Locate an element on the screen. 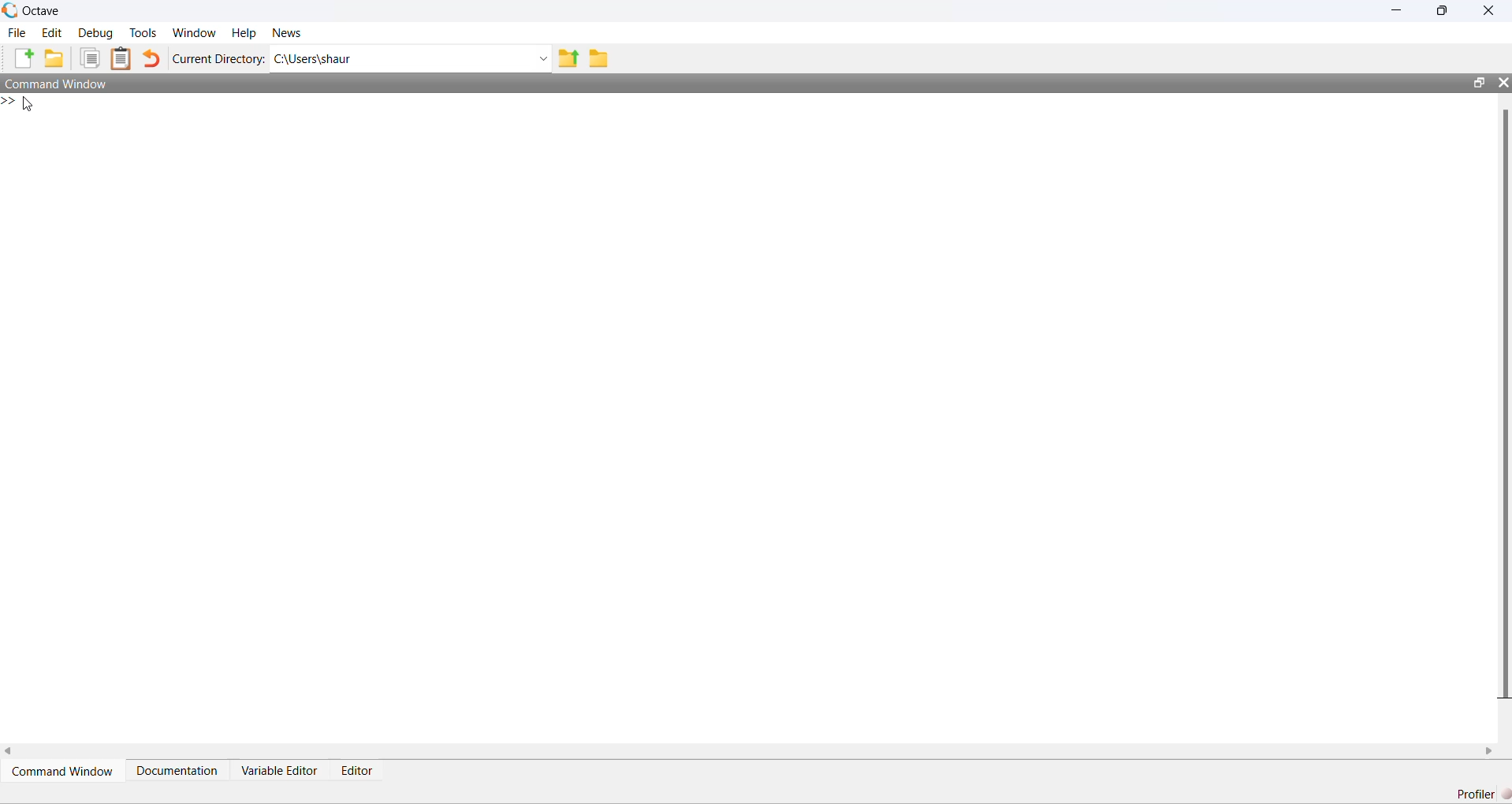 This screenshot has height=804, width=1512. close is located at coordinates (1504, 83).